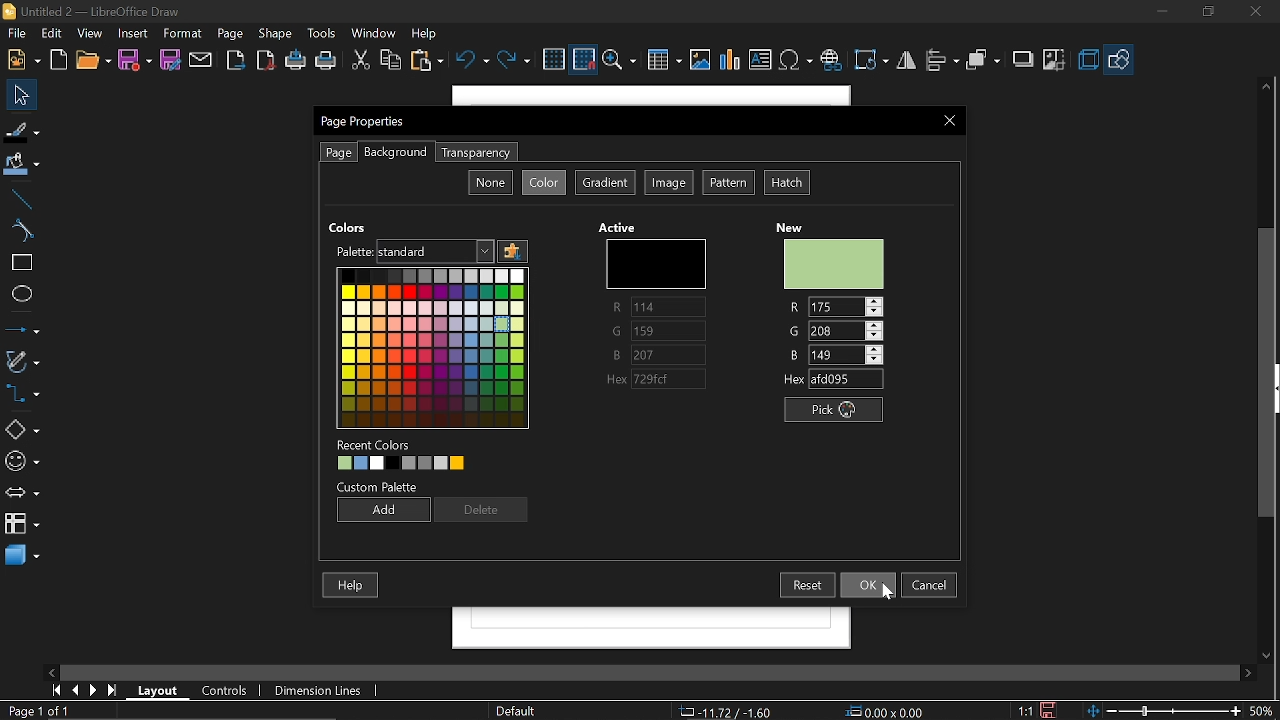 The image size is (1280, 720). What do you see at coordinates (796, 61) in the screenshot?
I see `Insert symbol` at bounding box center [796, 61].